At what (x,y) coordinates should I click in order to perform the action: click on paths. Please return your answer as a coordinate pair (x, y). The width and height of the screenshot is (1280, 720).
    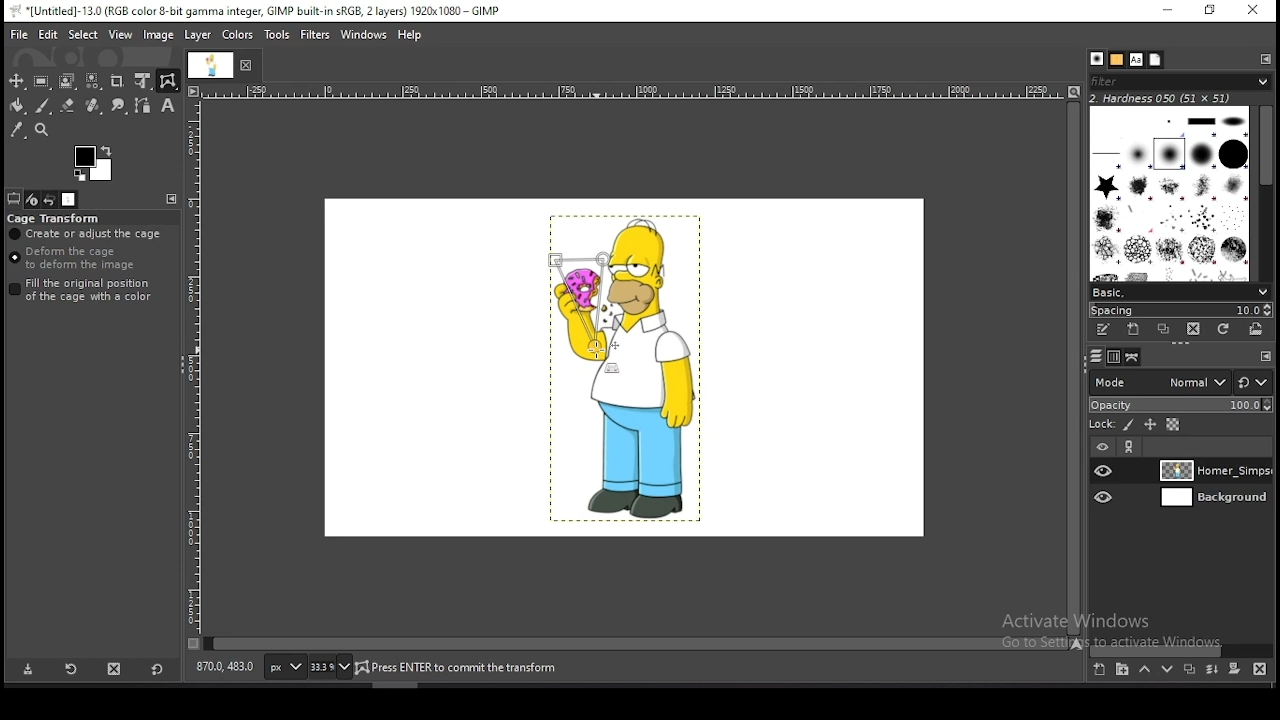
    Looking at the image, I should click on (1130, 357).